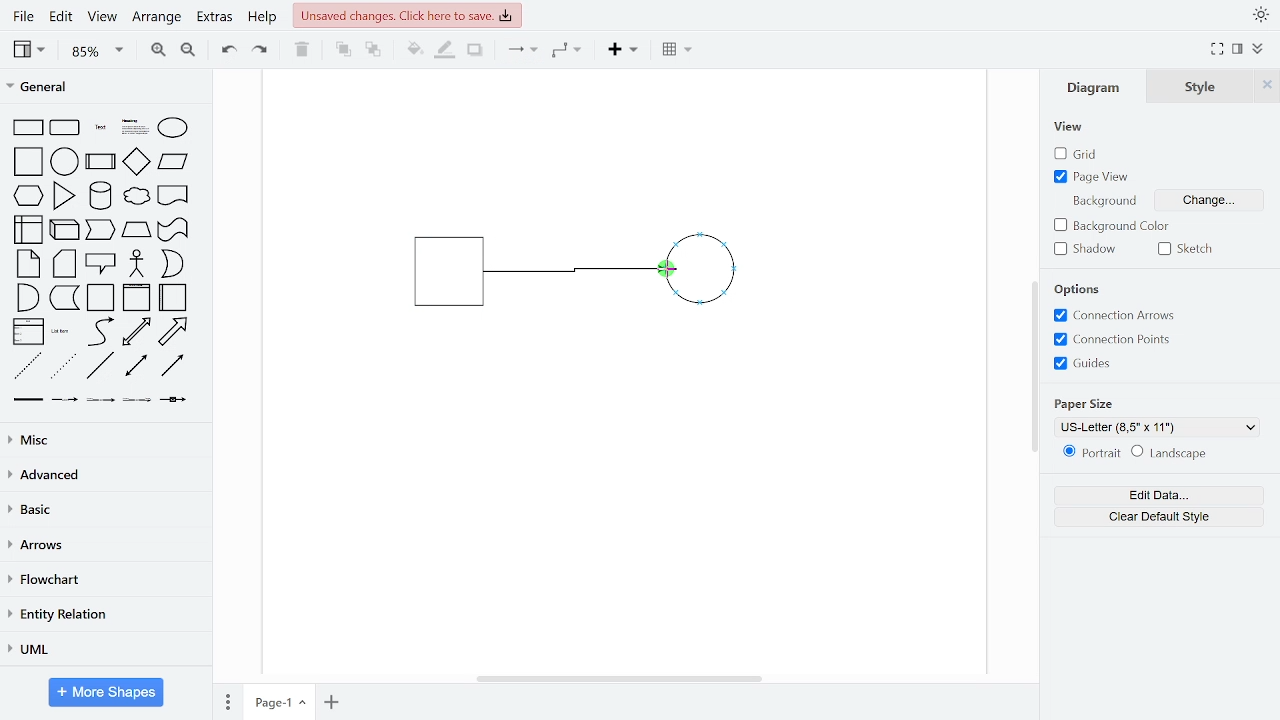  I want to click on process, so click(101, 163).